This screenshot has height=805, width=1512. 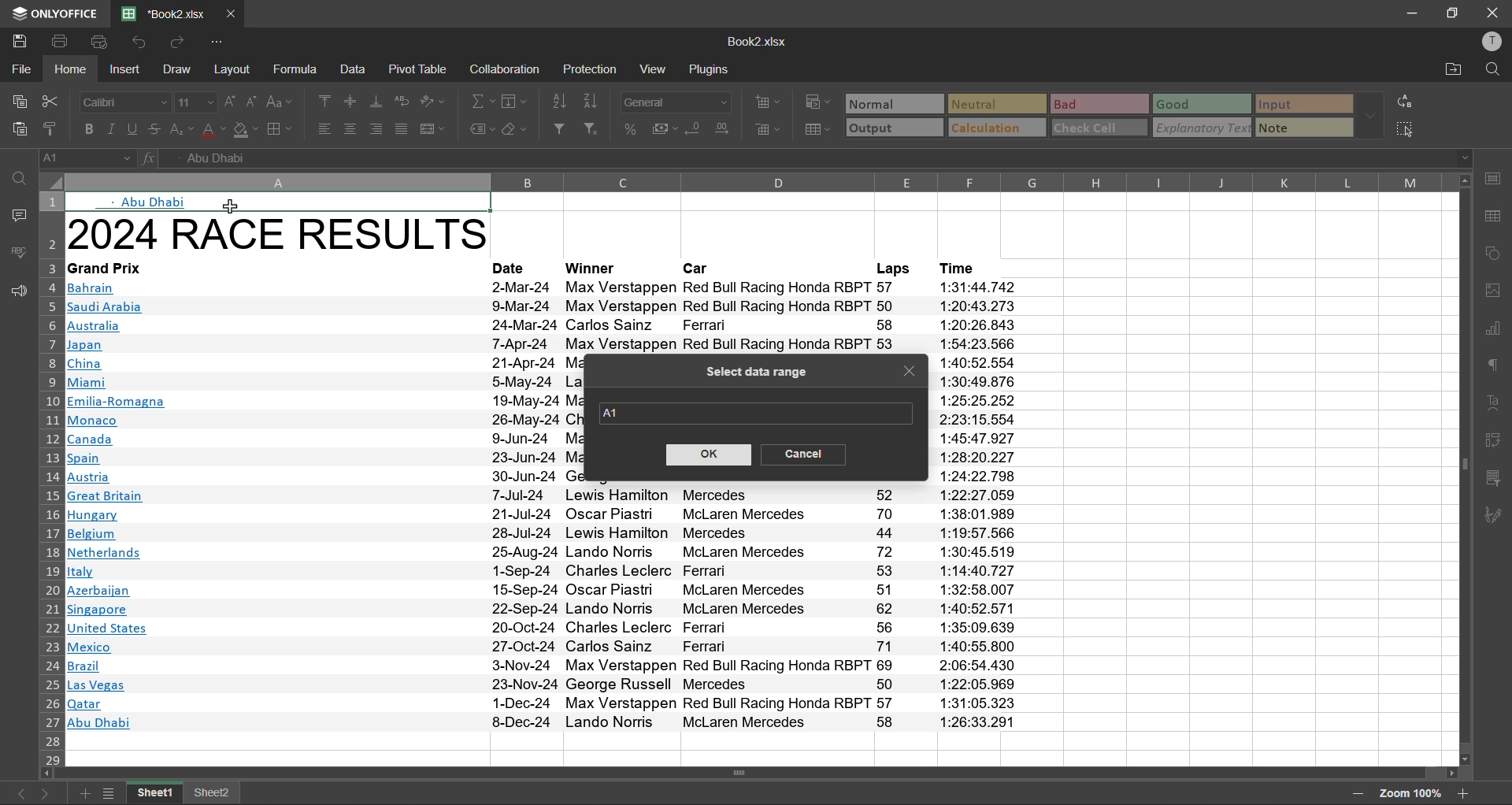 What do you see at coordinates (351, 127) in the screenshot?
I see `align center` at bounding box center [351, 127].